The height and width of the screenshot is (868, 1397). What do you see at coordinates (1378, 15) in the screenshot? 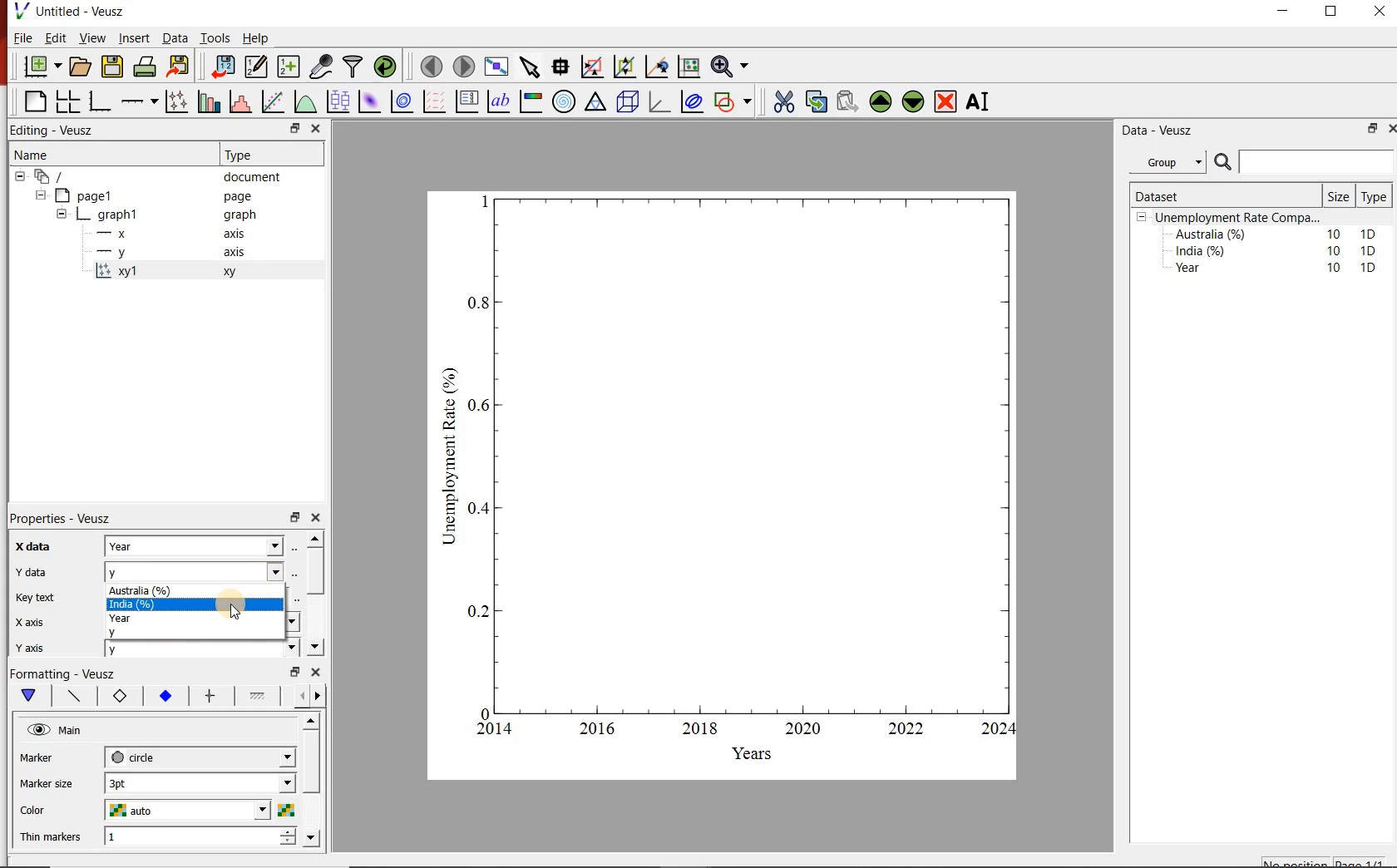
I see `close` at bounding box center [1378, 15].